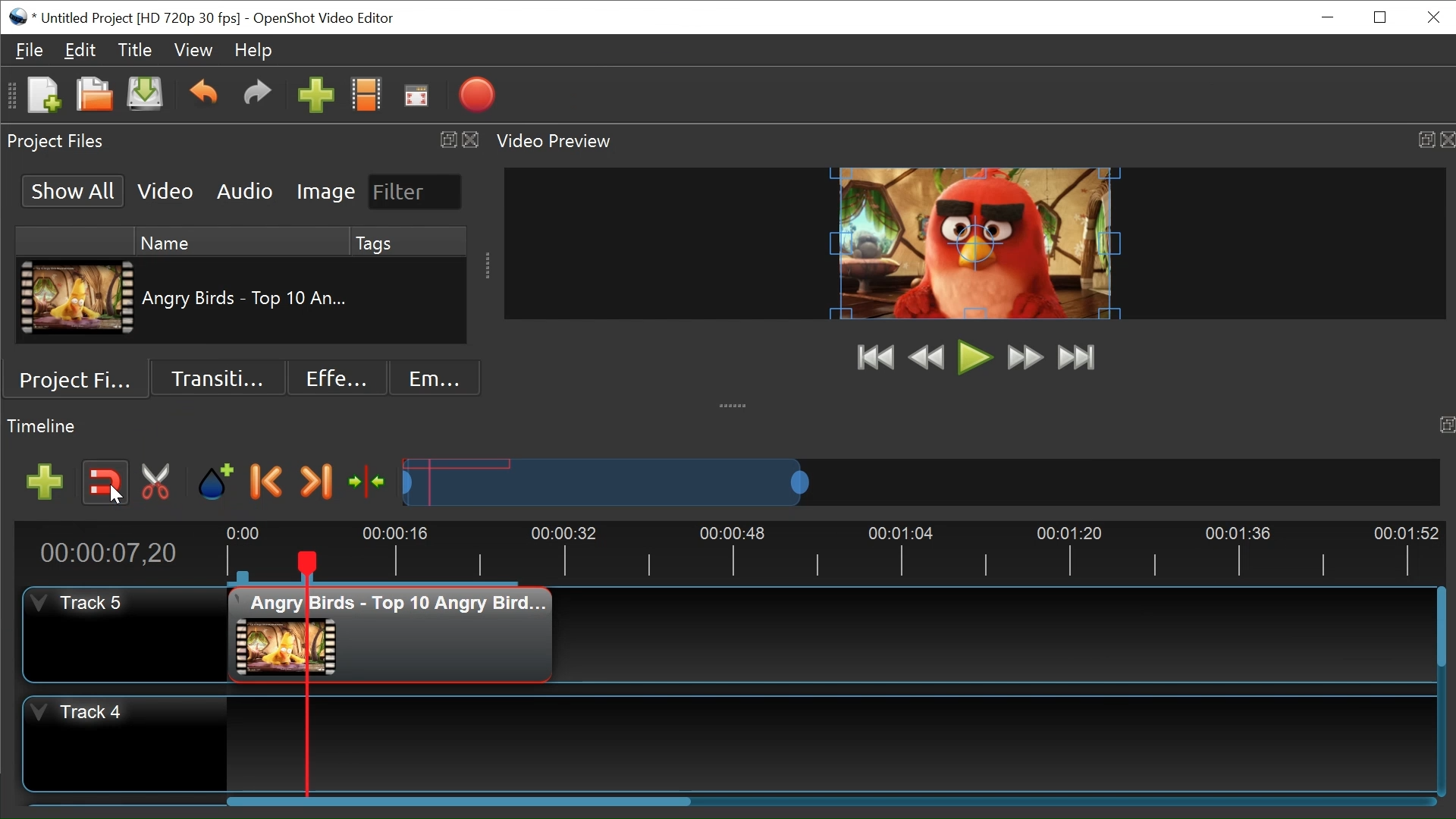  What do you see at coordinates (417, 96) in the screenshot?
I see `Fullscreen` at bounding box center [417, 96].